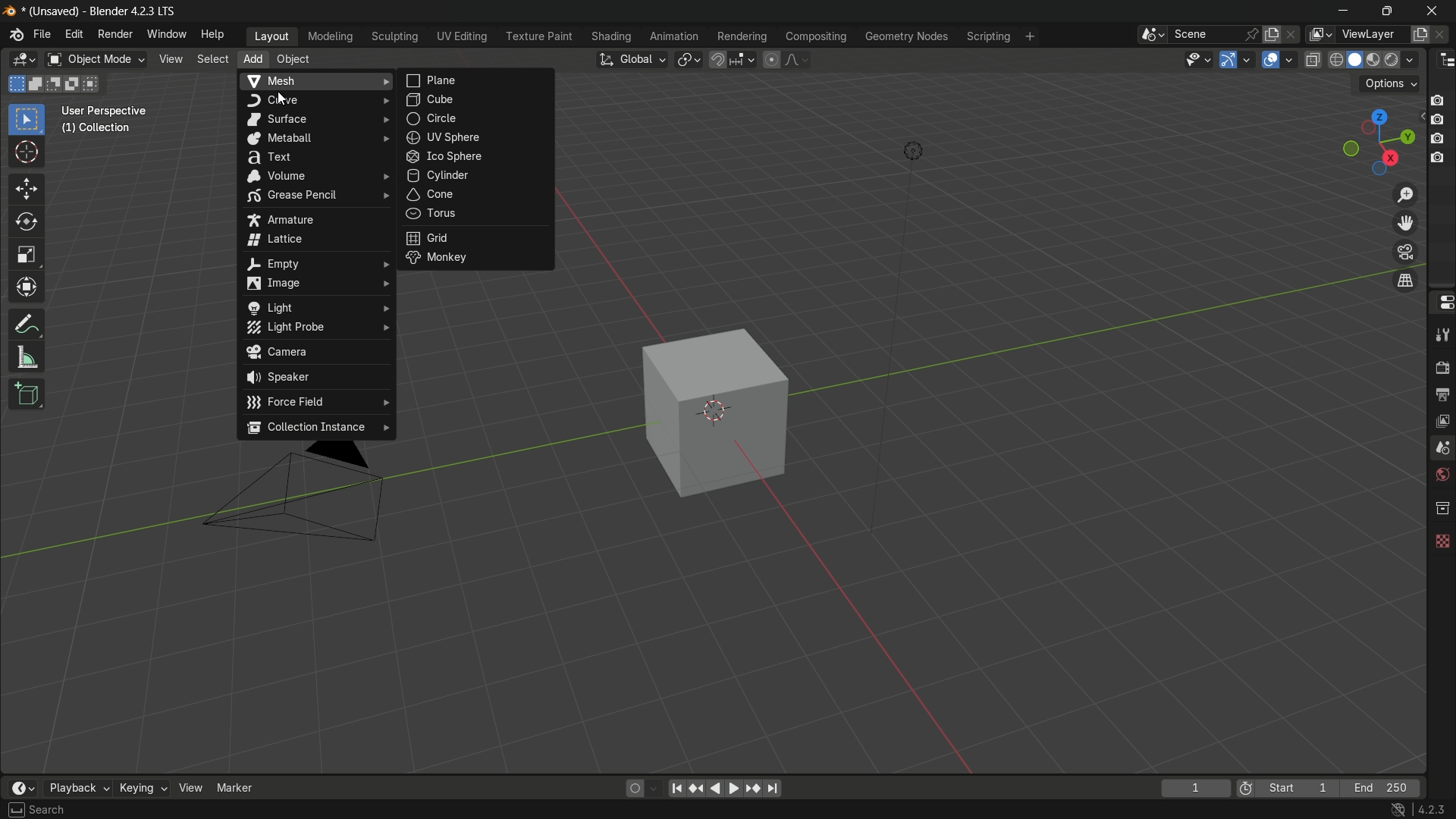 This screenshot has height=819, width=1456. What do you see at coordinates (212, 59) in the screenshot?
I see `select` at bounding box center [212, 59].